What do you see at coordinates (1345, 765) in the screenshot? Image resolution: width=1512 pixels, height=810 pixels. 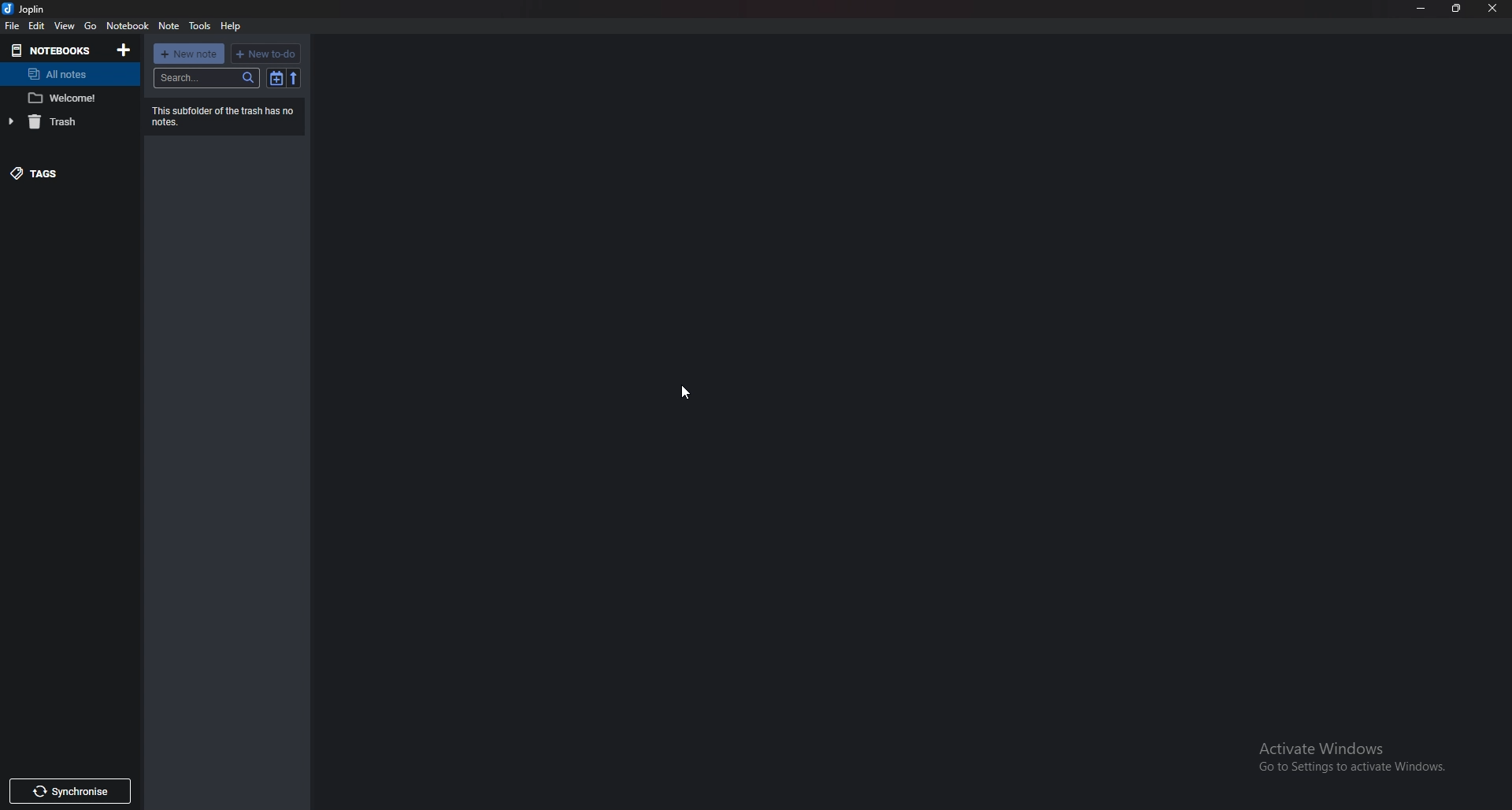 I see `Activate Windows
Go to Settings to activate Windows.` at bounding box center [1345, 765].